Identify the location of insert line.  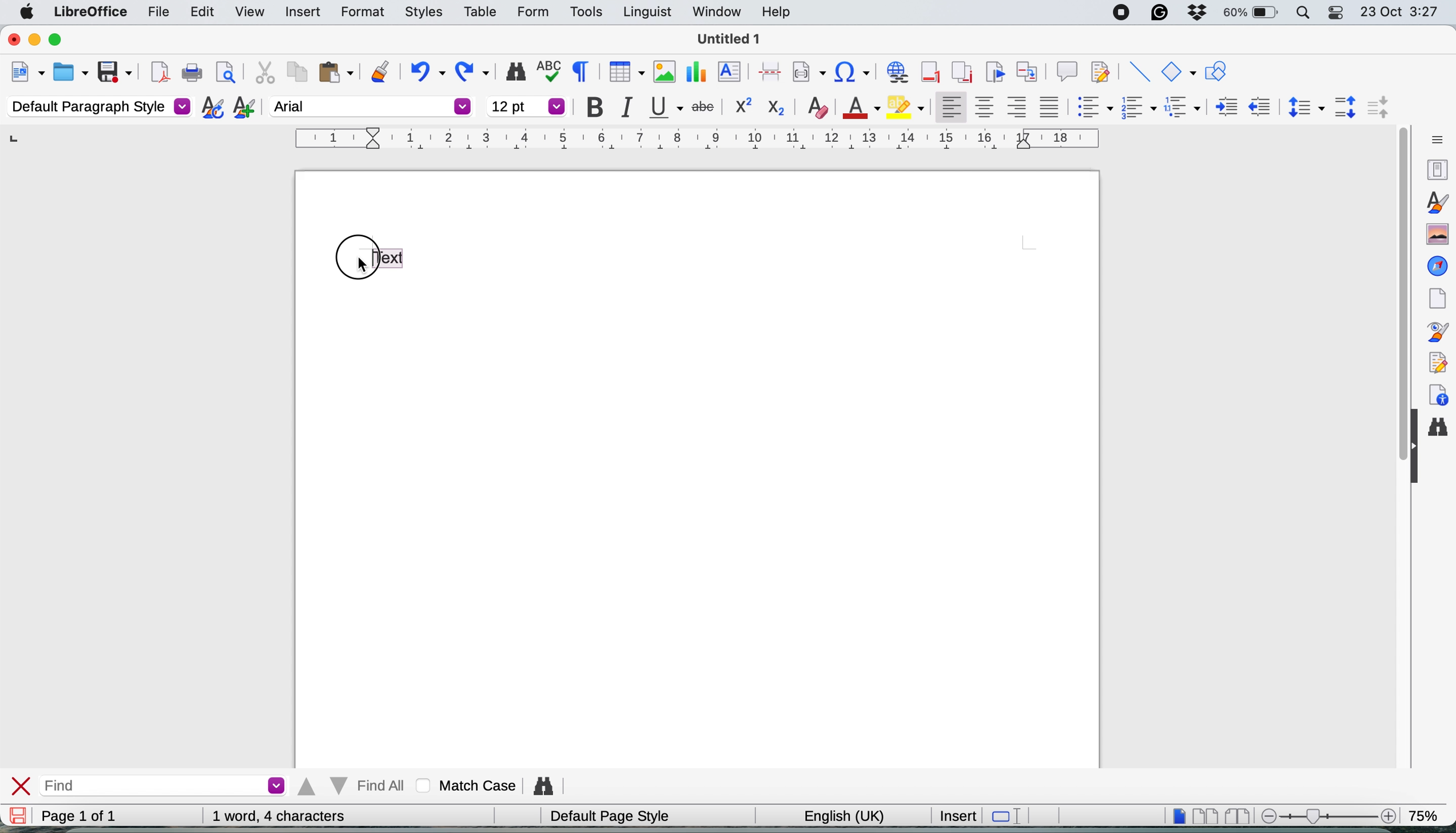
(1139, 72).